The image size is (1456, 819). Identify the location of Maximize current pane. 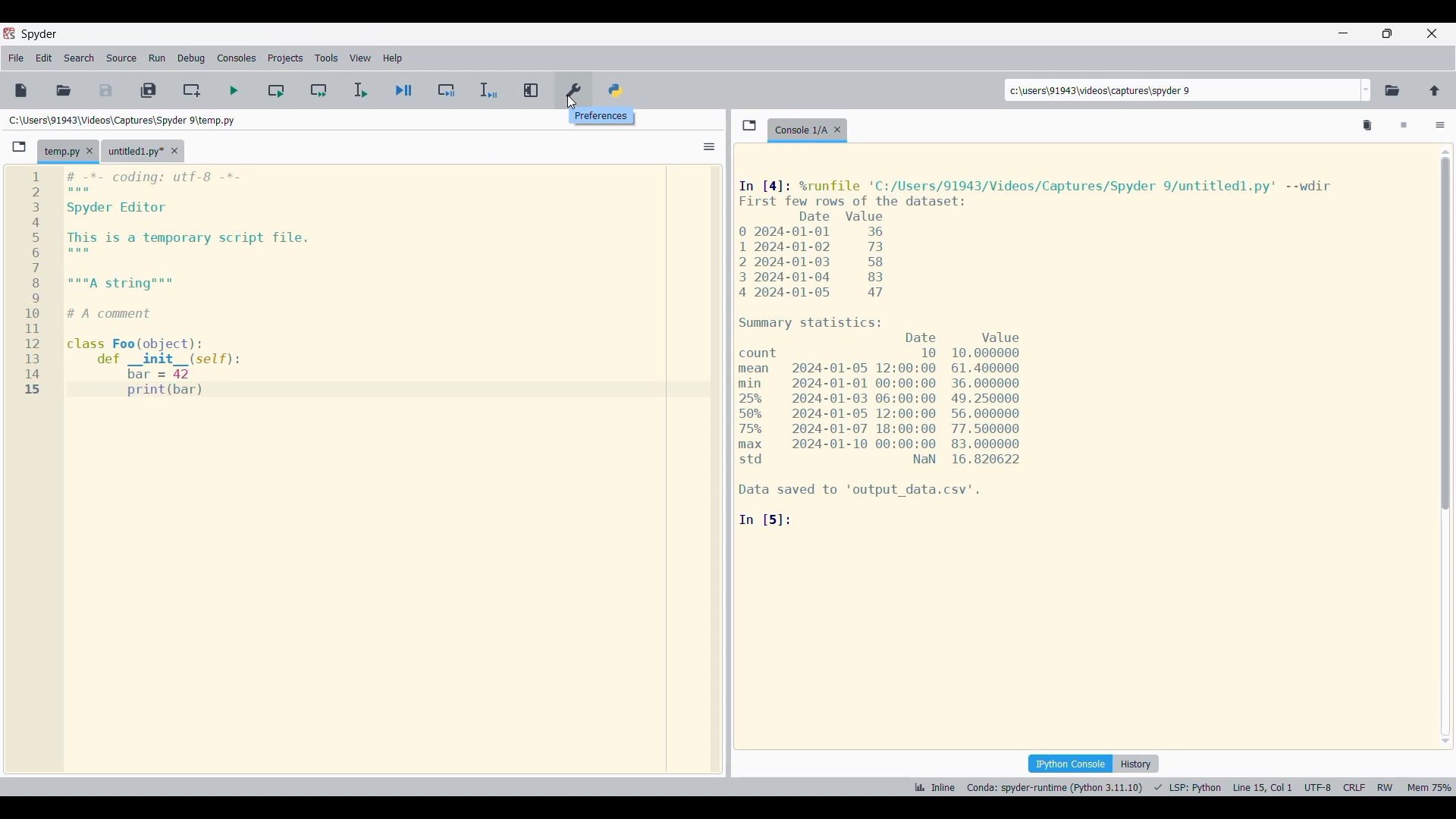
(531, 90).